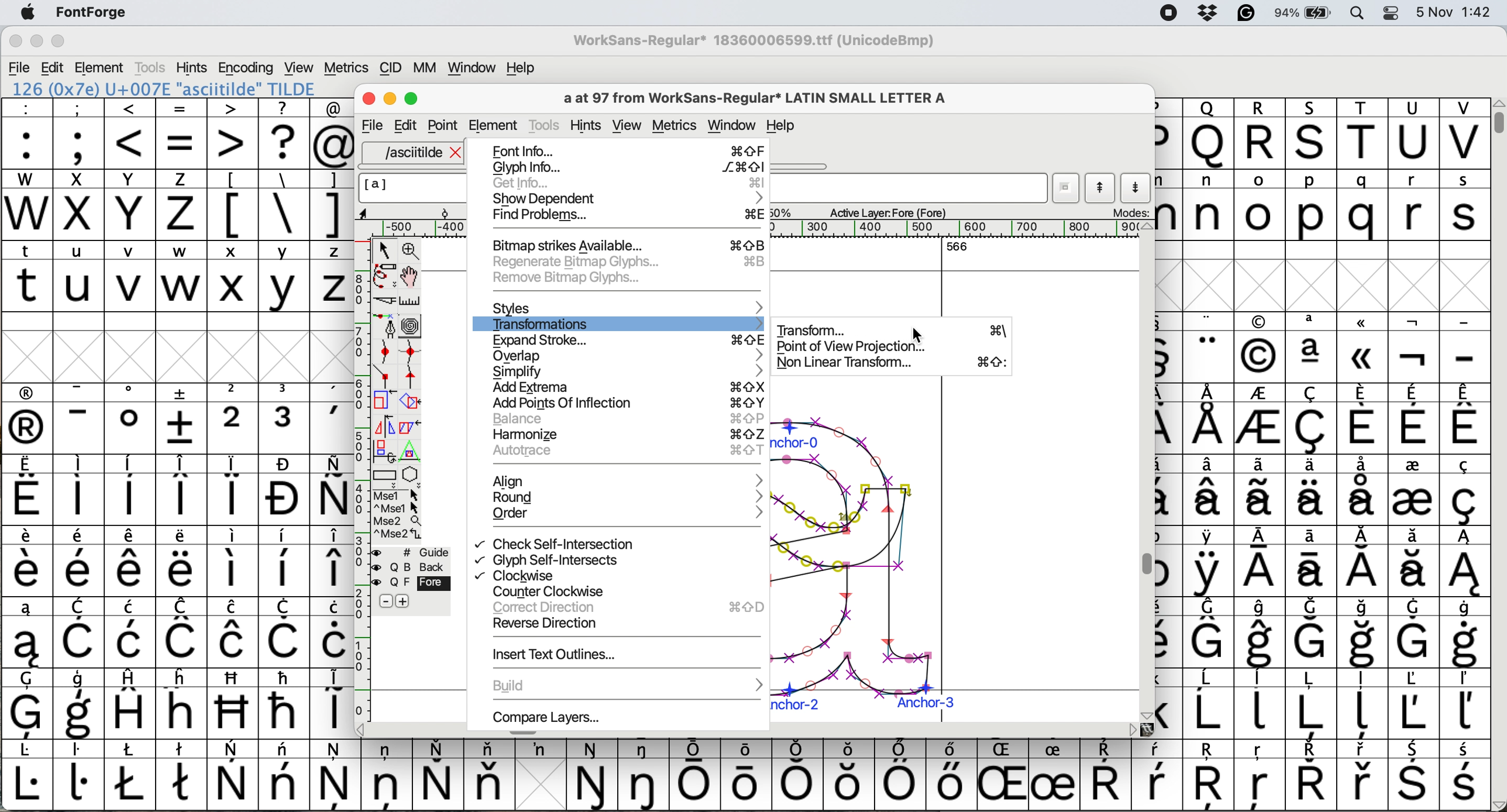 This screenshot has width=1507, height=812. I want to click on symbol, so click(1310, 775).